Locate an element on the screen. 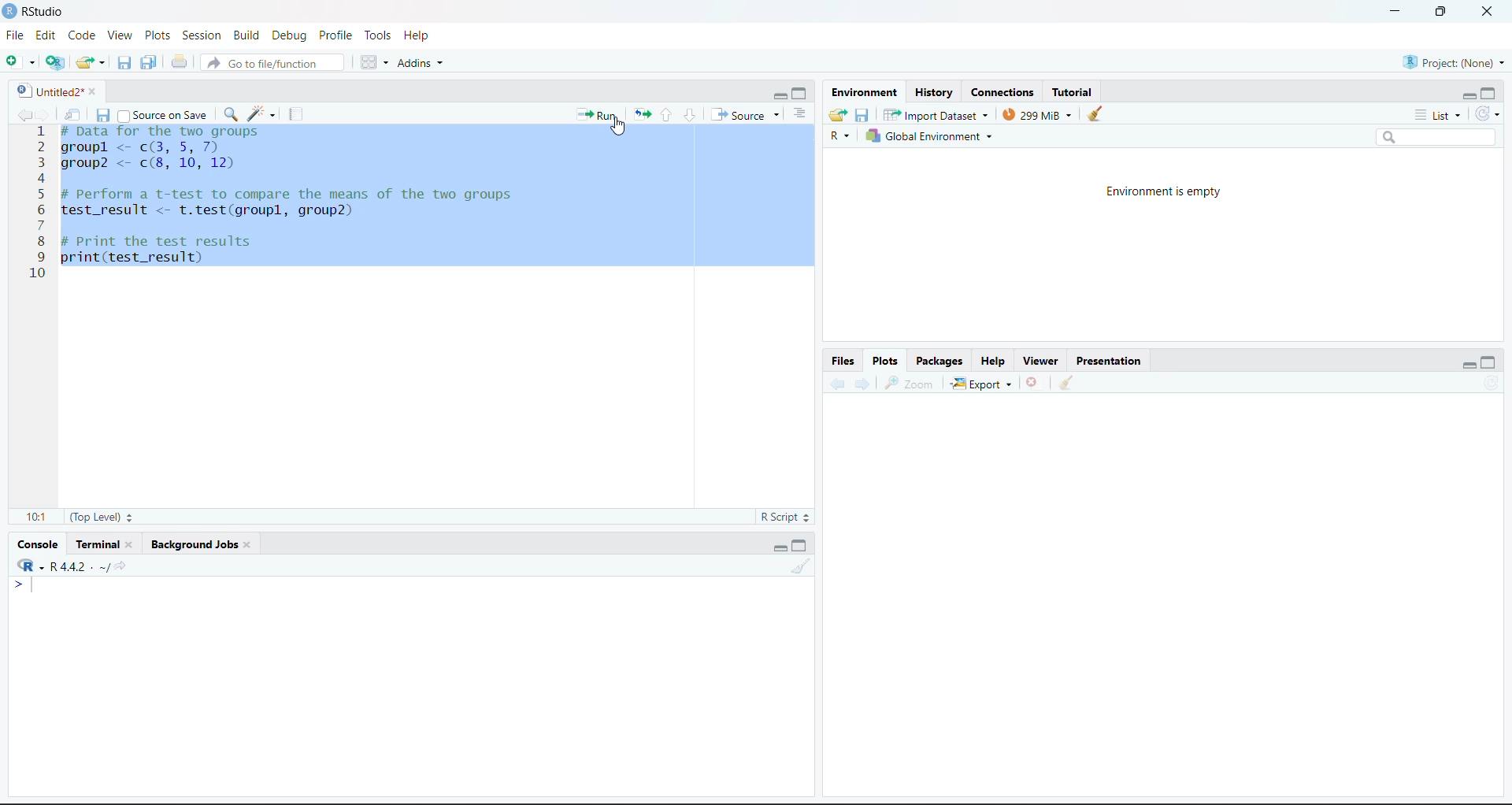  open an existing file is located at coordinates (89, 61).